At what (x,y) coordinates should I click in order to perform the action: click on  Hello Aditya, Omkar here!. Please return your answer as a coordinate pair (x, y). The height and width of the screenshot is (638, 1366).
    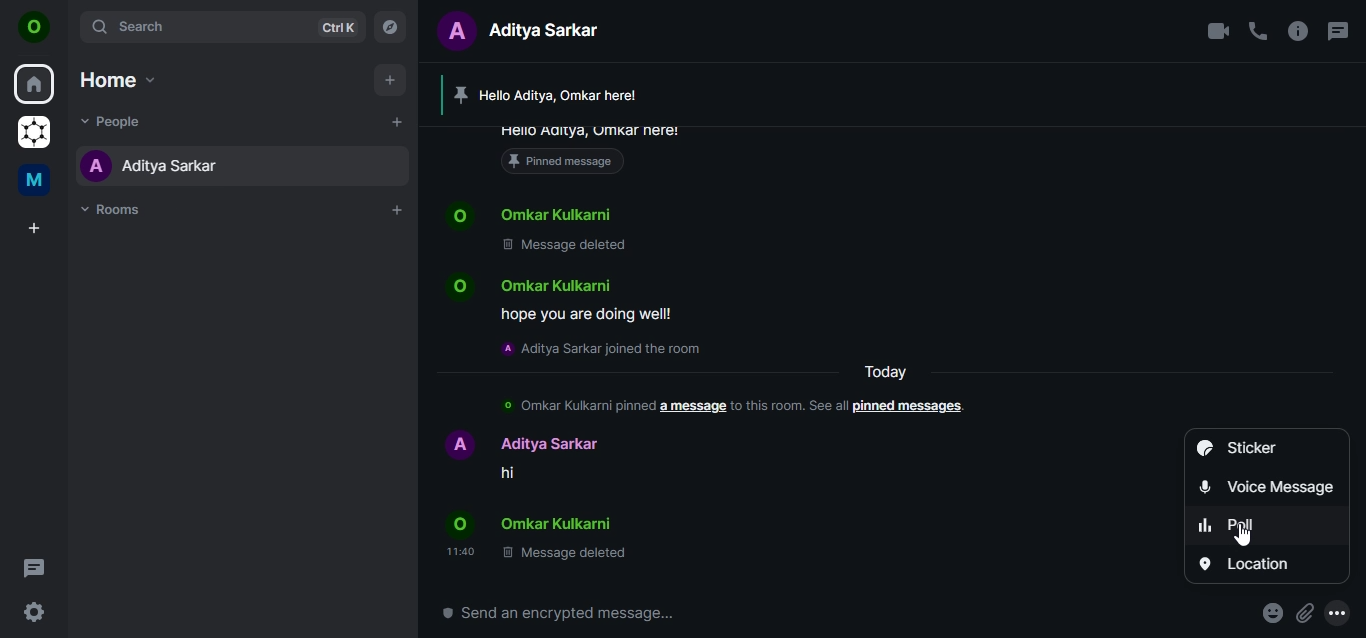
    Looking at the image, I should click on (557, 94).